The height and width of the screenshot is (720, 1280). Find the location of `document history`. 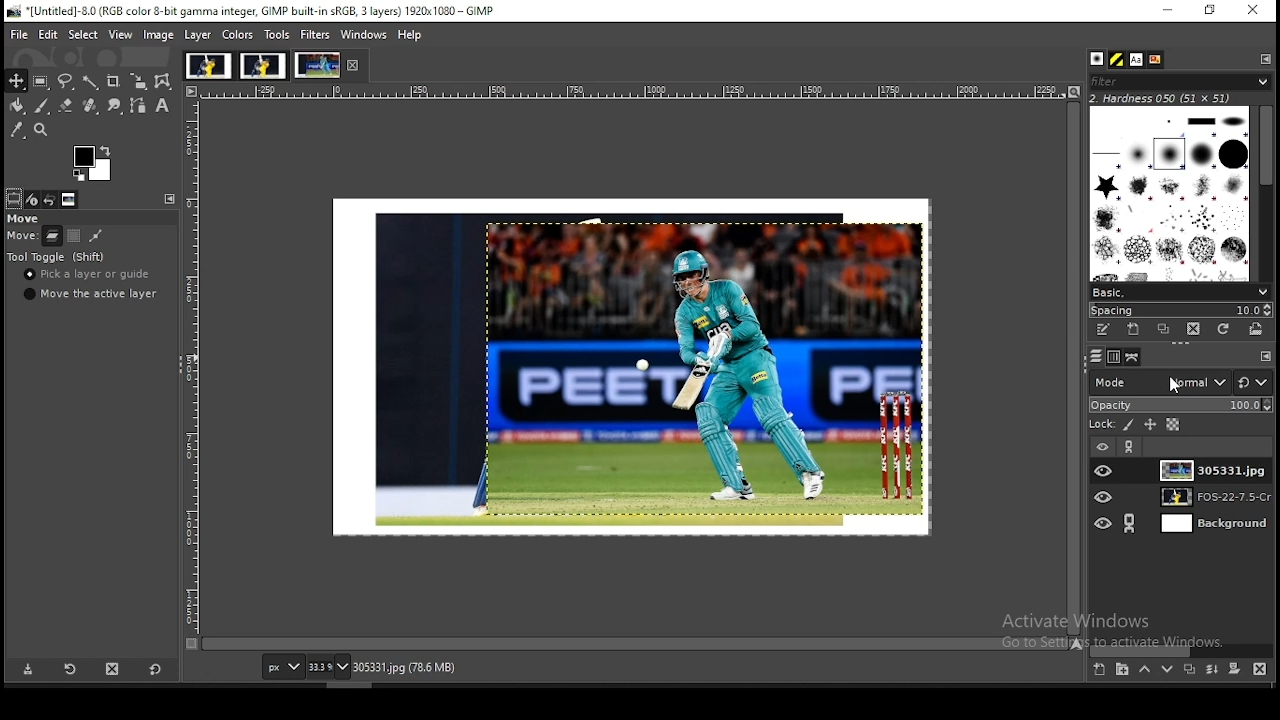

document history is located at coordinates (1157, 58).